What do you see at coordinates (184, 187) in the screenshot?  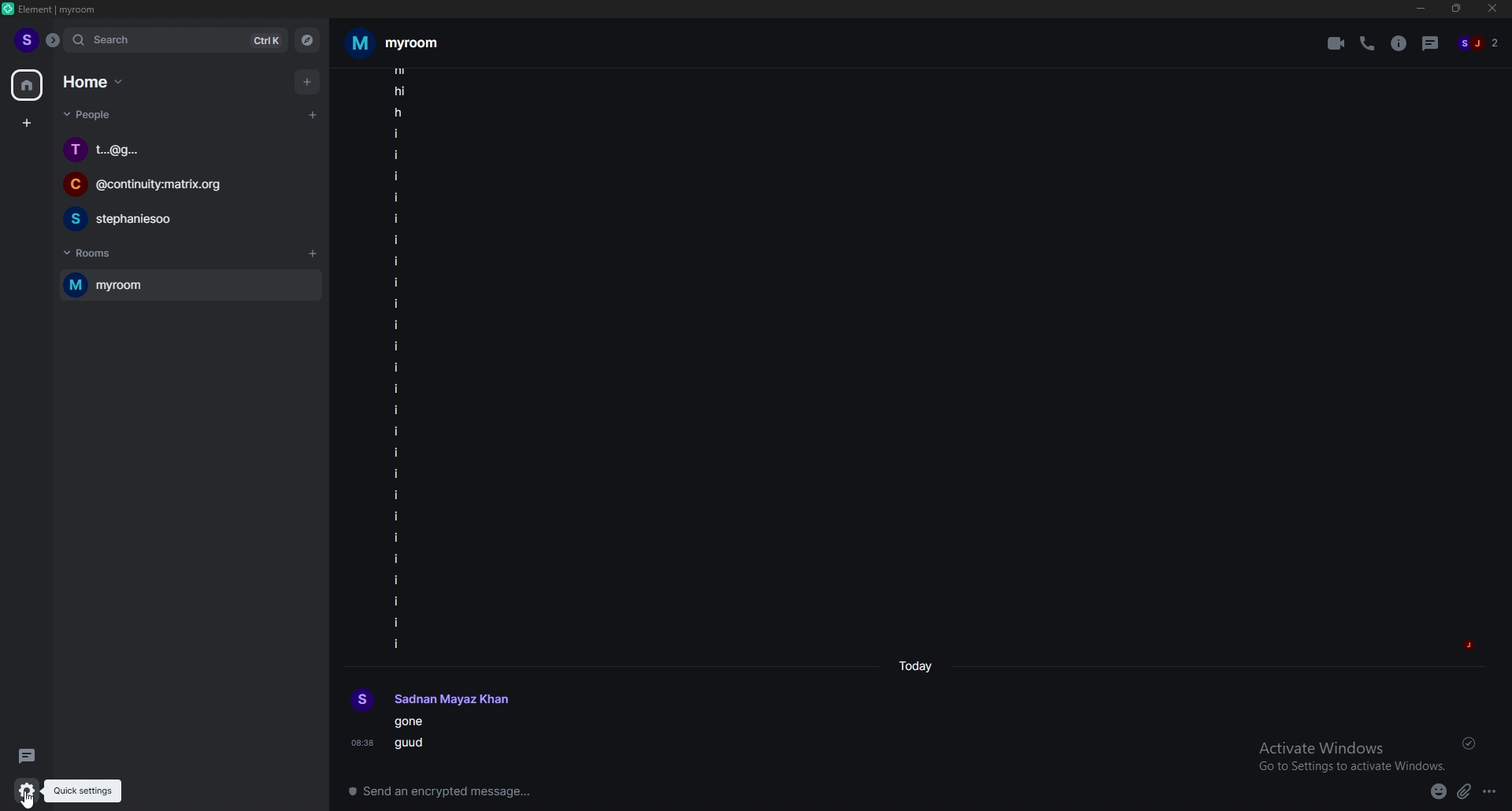 I see `chat` at bounding box center [184, 187].